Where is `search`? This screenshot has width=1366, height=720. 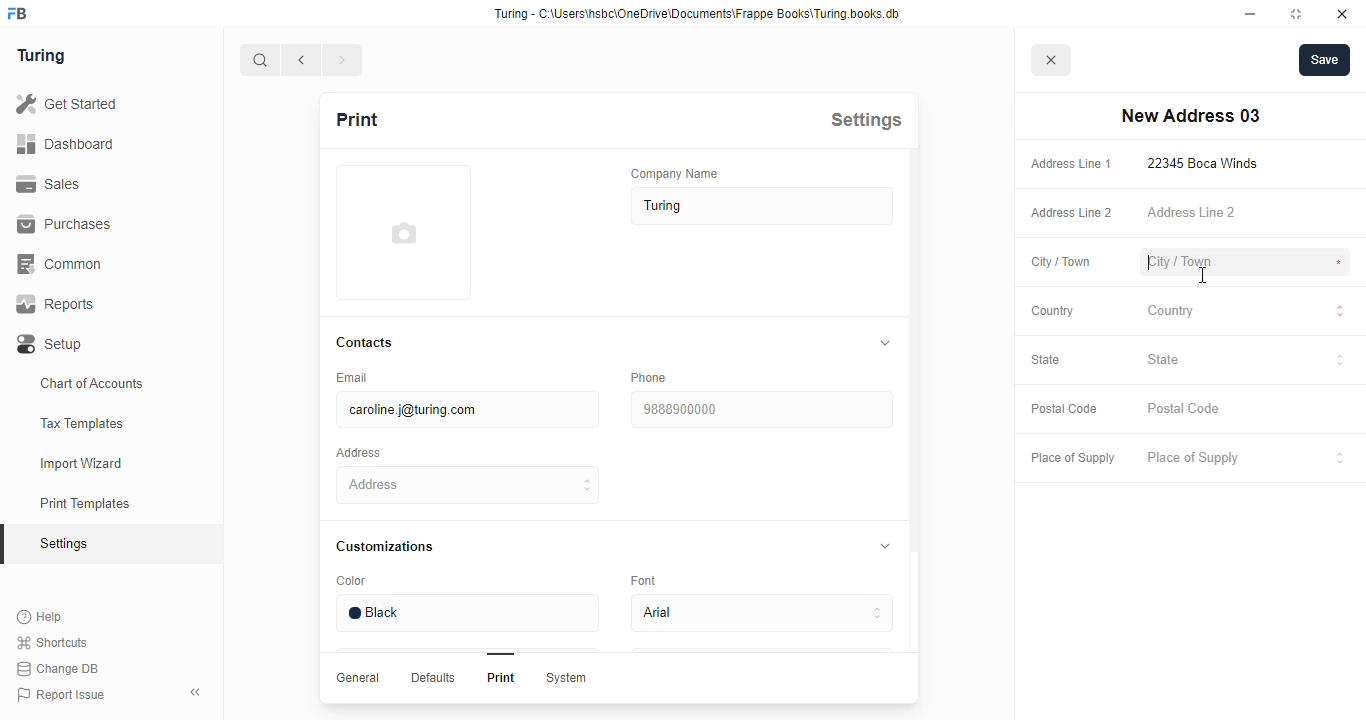 search is located at coordinates (260, 60).